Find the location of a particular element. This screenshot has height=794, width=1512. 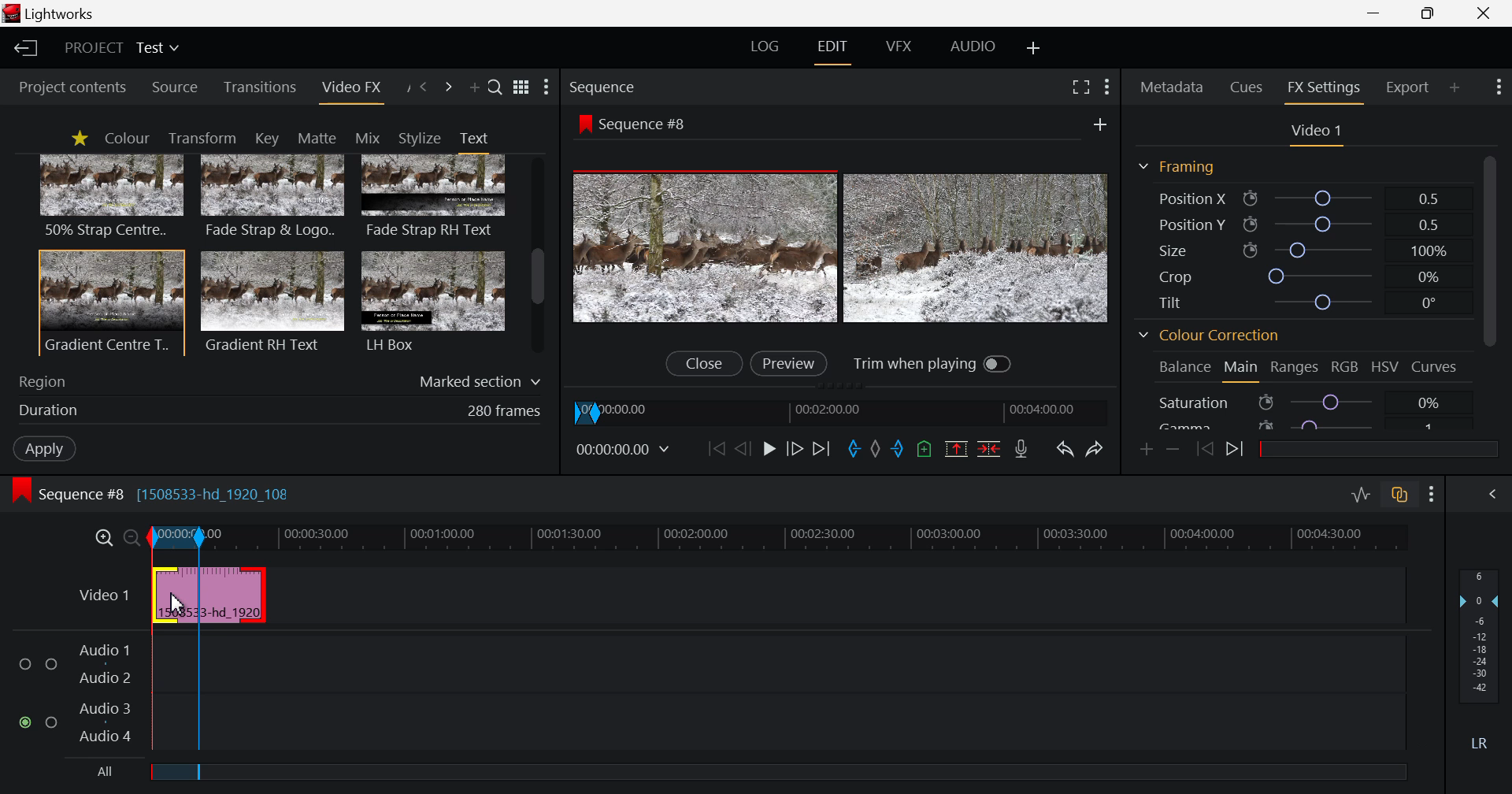

Back to homepage is located at coordinates (23, 48).